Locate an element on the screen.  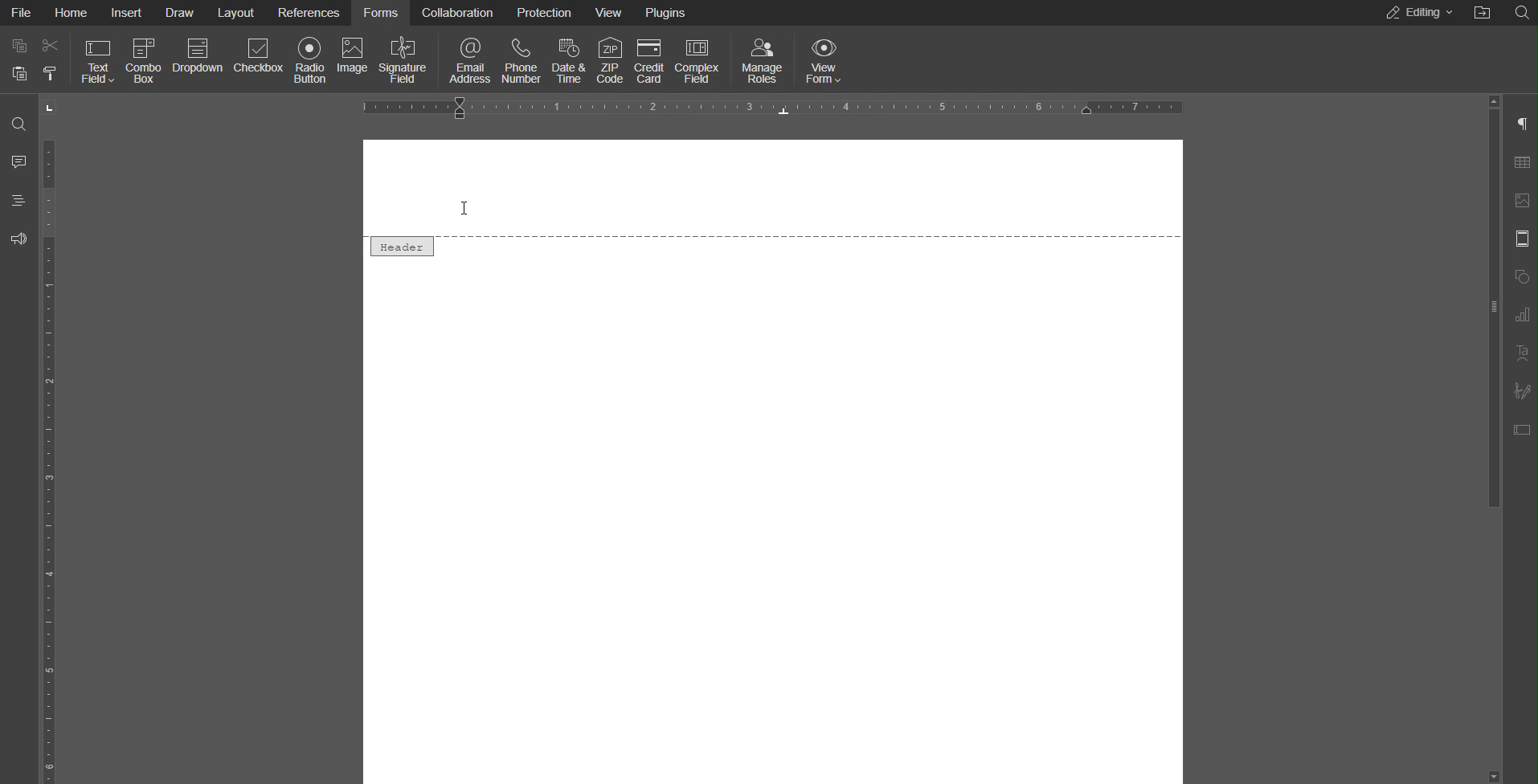
Shape Settings is located at coordinates (1520, 276).